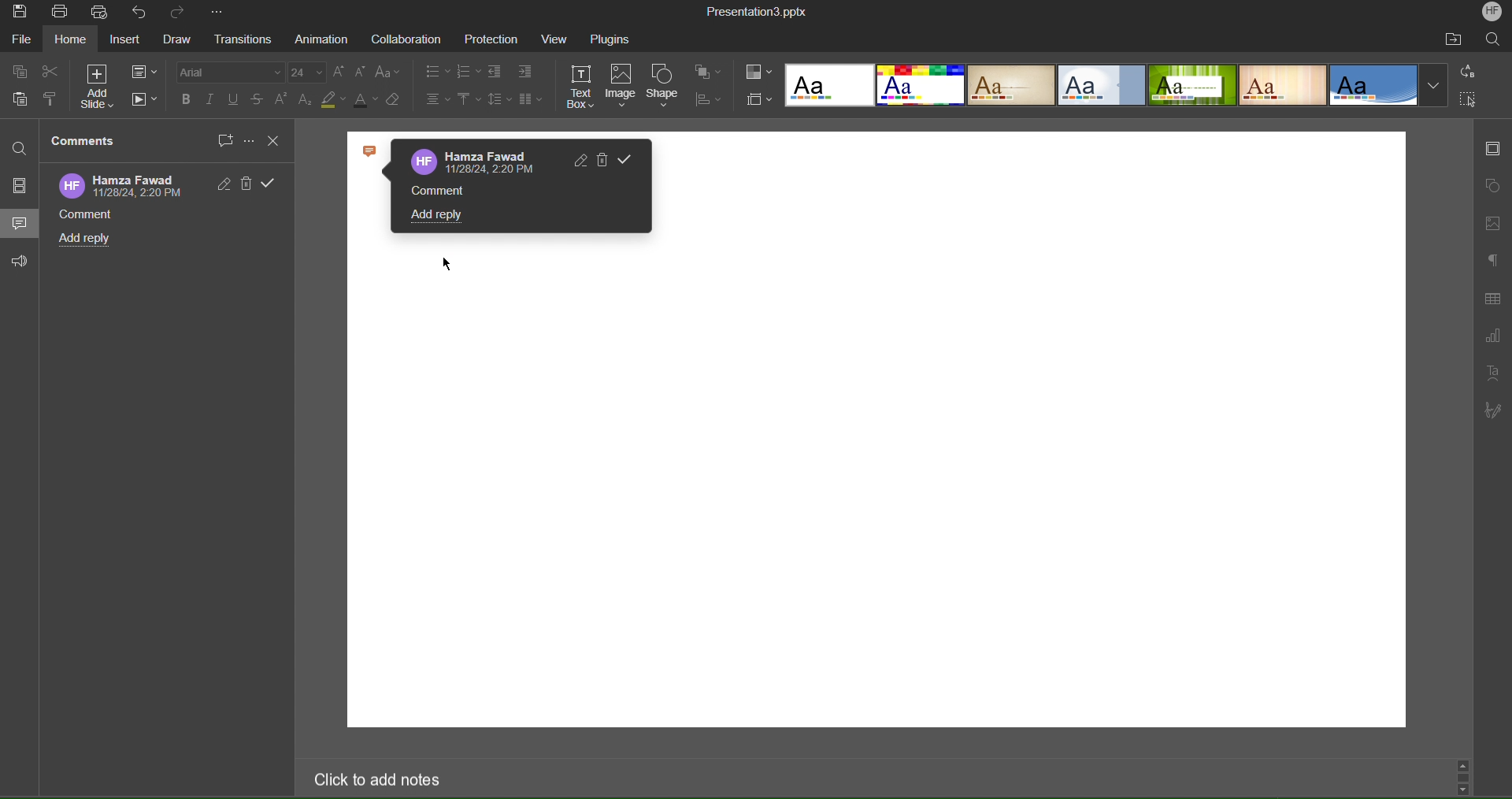 Image resolution: width=1512 pixels, height=799 pixels. What do you see at coordinates (499, 72) in the screenshot?
I see `Indent Options` at bounding box center [499, 72].